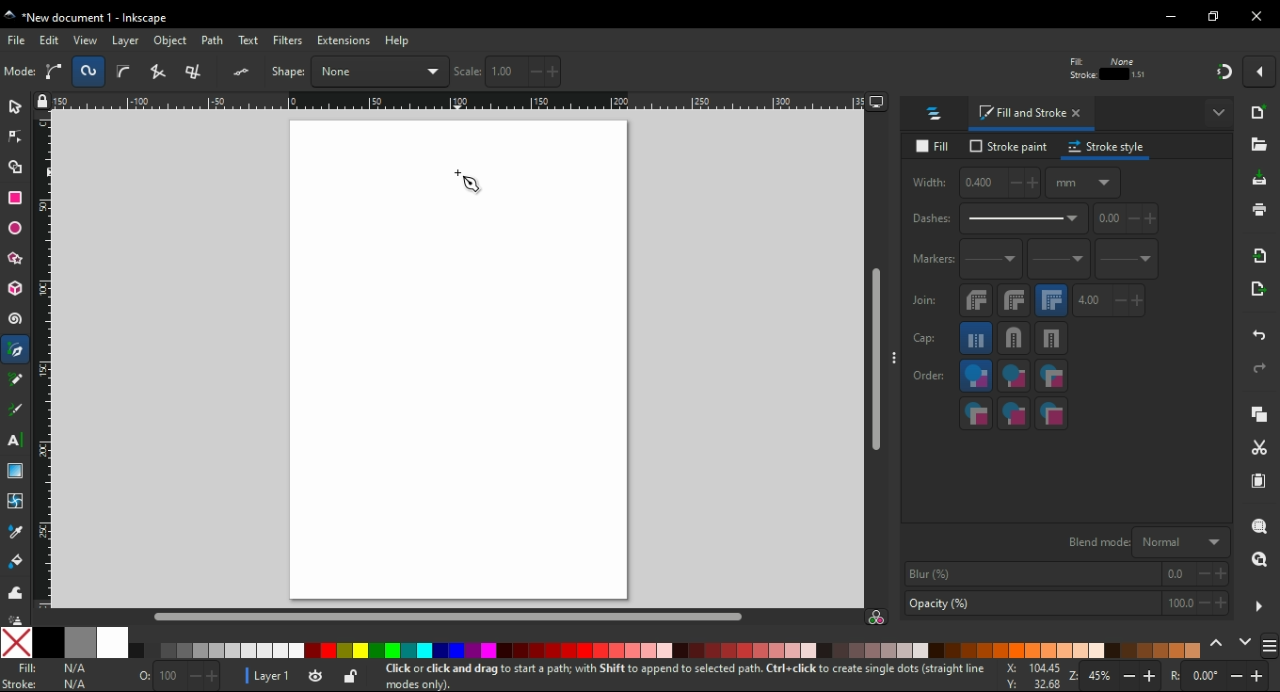 This screenshot has width=1280, height=692. What do you see at coordinates (935, 113) in the screenshot?
I see `layers and objects` at bounding box center [935, 113].